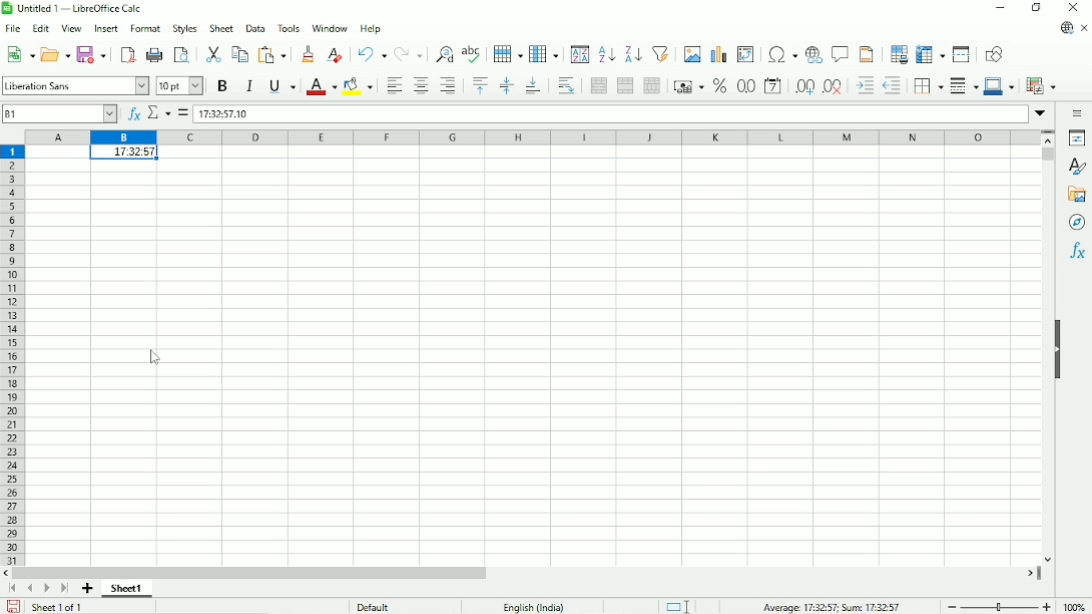 This screenshot has width=1092, height=614. Describe the element at coordinates (14, 356) in the screenshot. I see `Row headings` at that location.